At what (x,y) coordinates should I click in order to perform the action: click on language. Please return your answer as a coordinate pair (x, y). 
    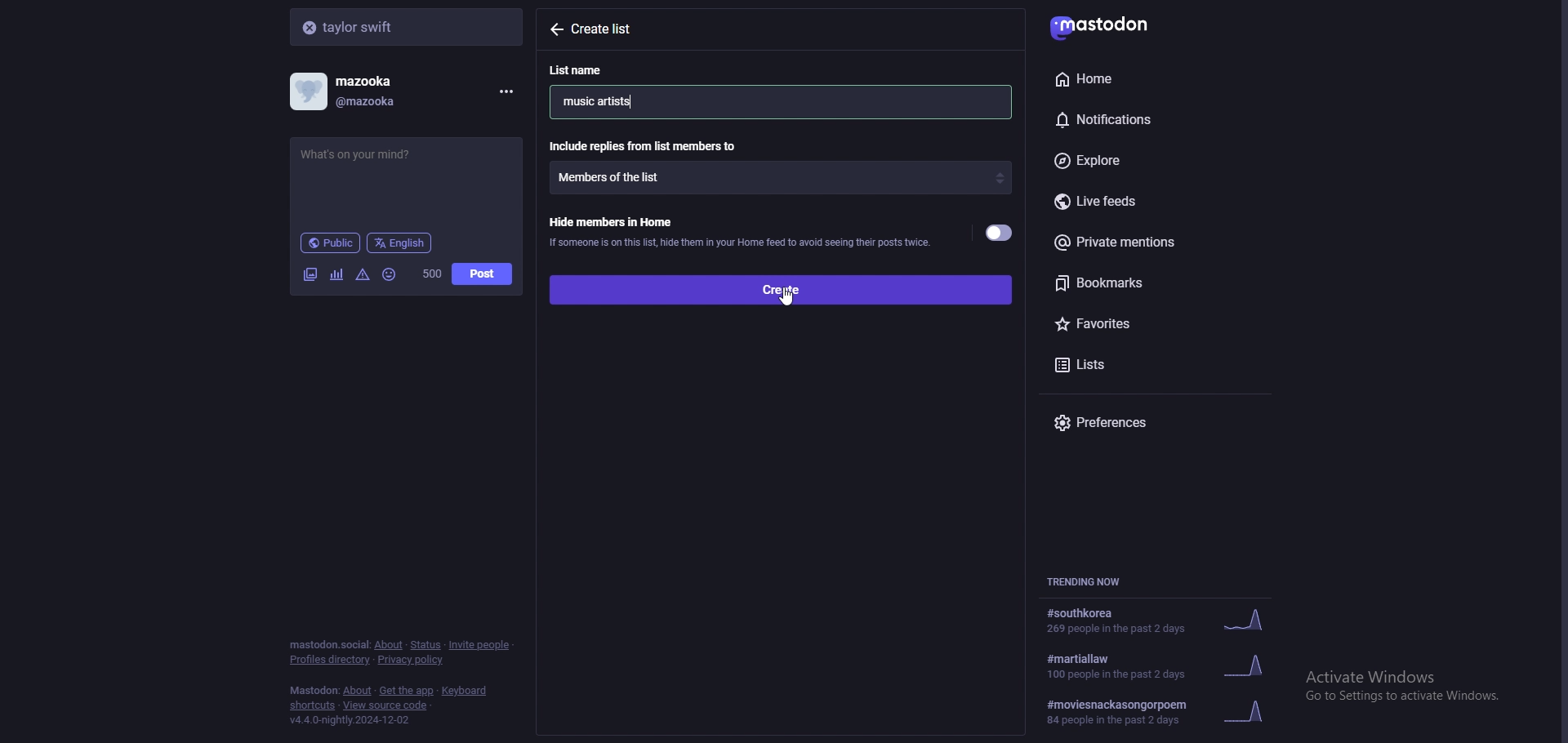
    Looking at the image, I should click on (400, 242).